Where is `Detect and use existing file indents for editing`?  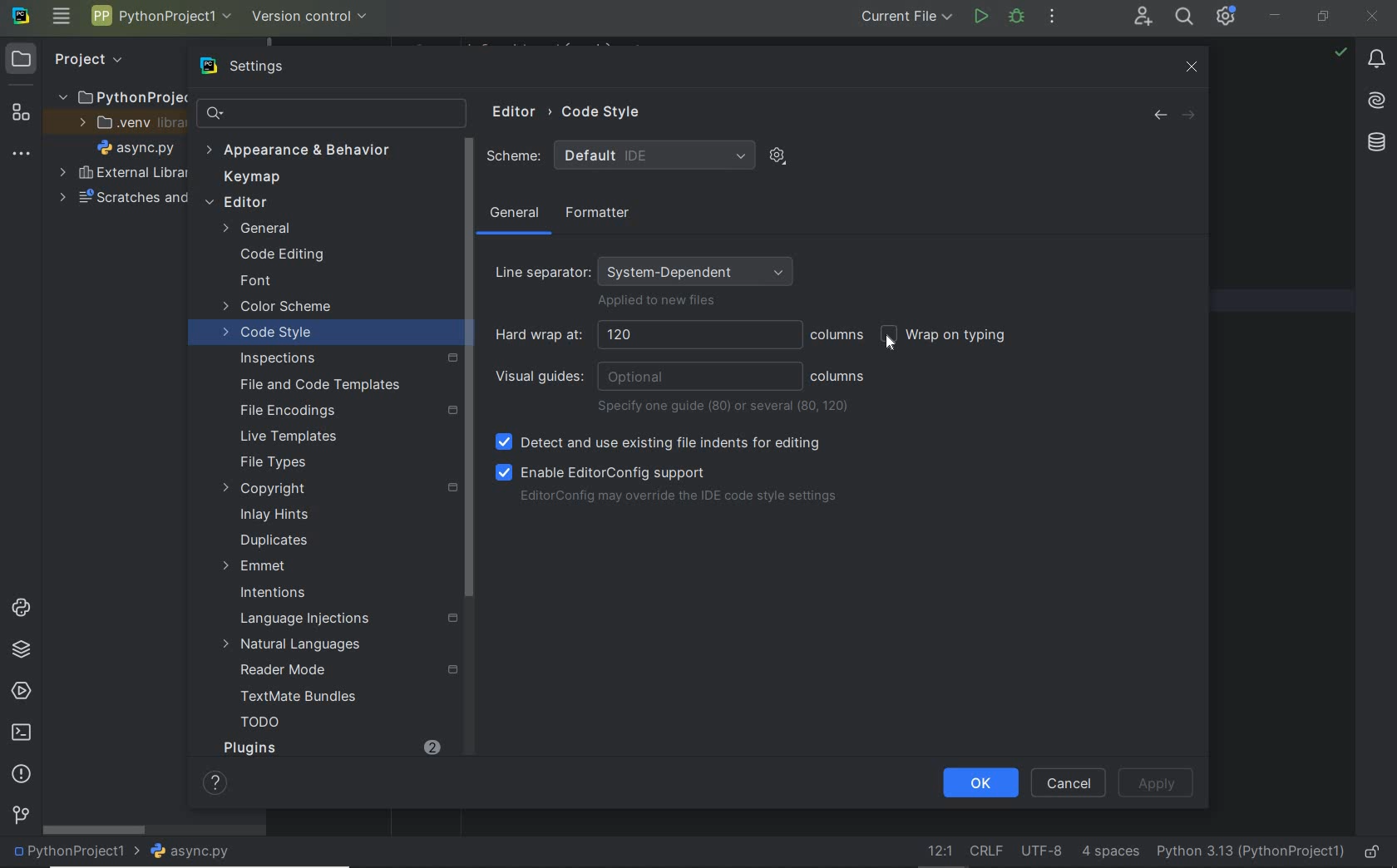 Detect and use existing file indents for editing is located at coordinates (659, 443).